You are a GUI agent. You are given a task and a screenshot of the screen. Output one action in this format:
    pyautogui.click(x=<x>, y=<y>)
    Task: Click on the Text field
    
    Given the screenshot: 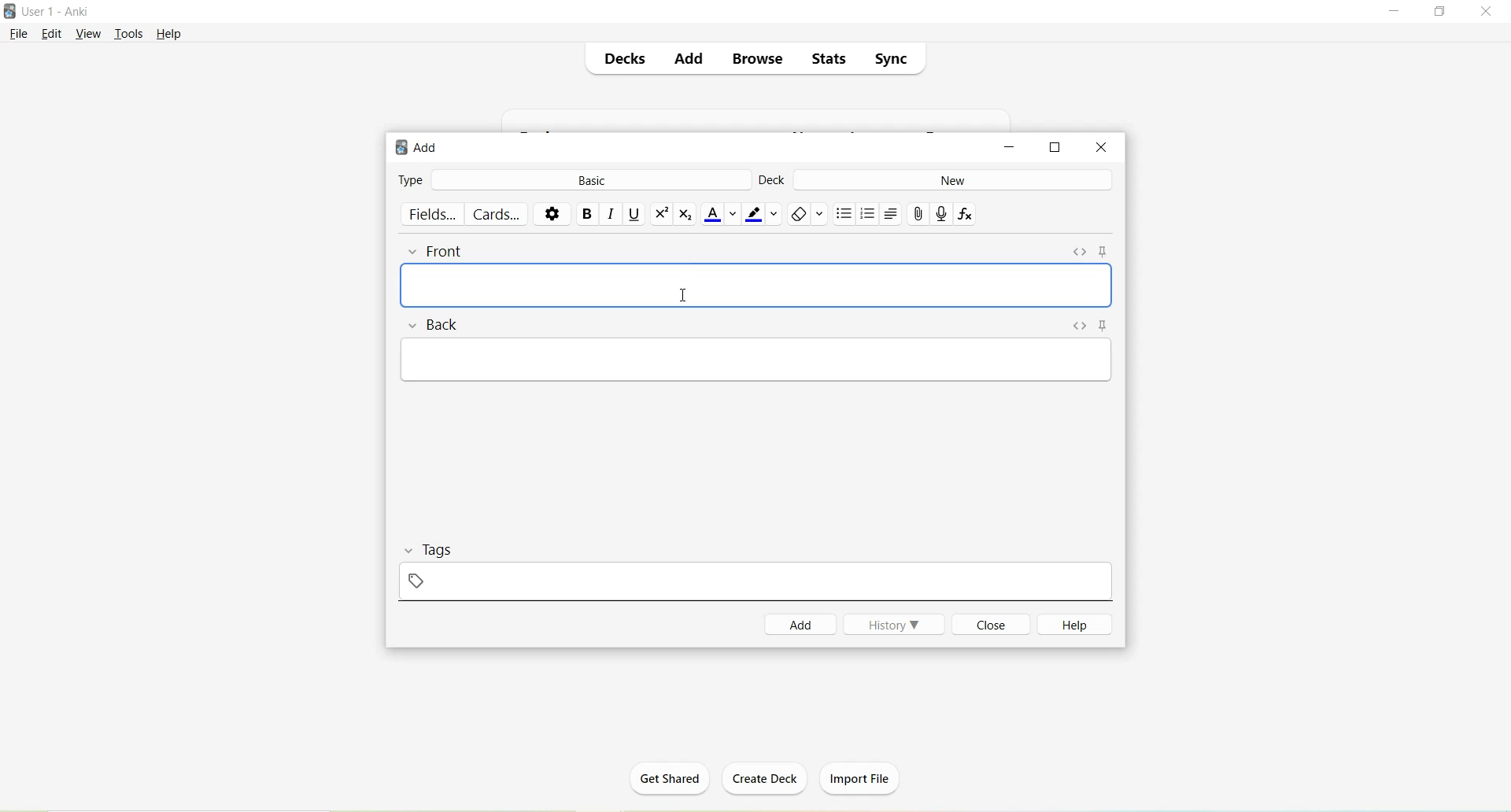 What is the action you would take?
    pyautogui.click(x=756, y=286)
    